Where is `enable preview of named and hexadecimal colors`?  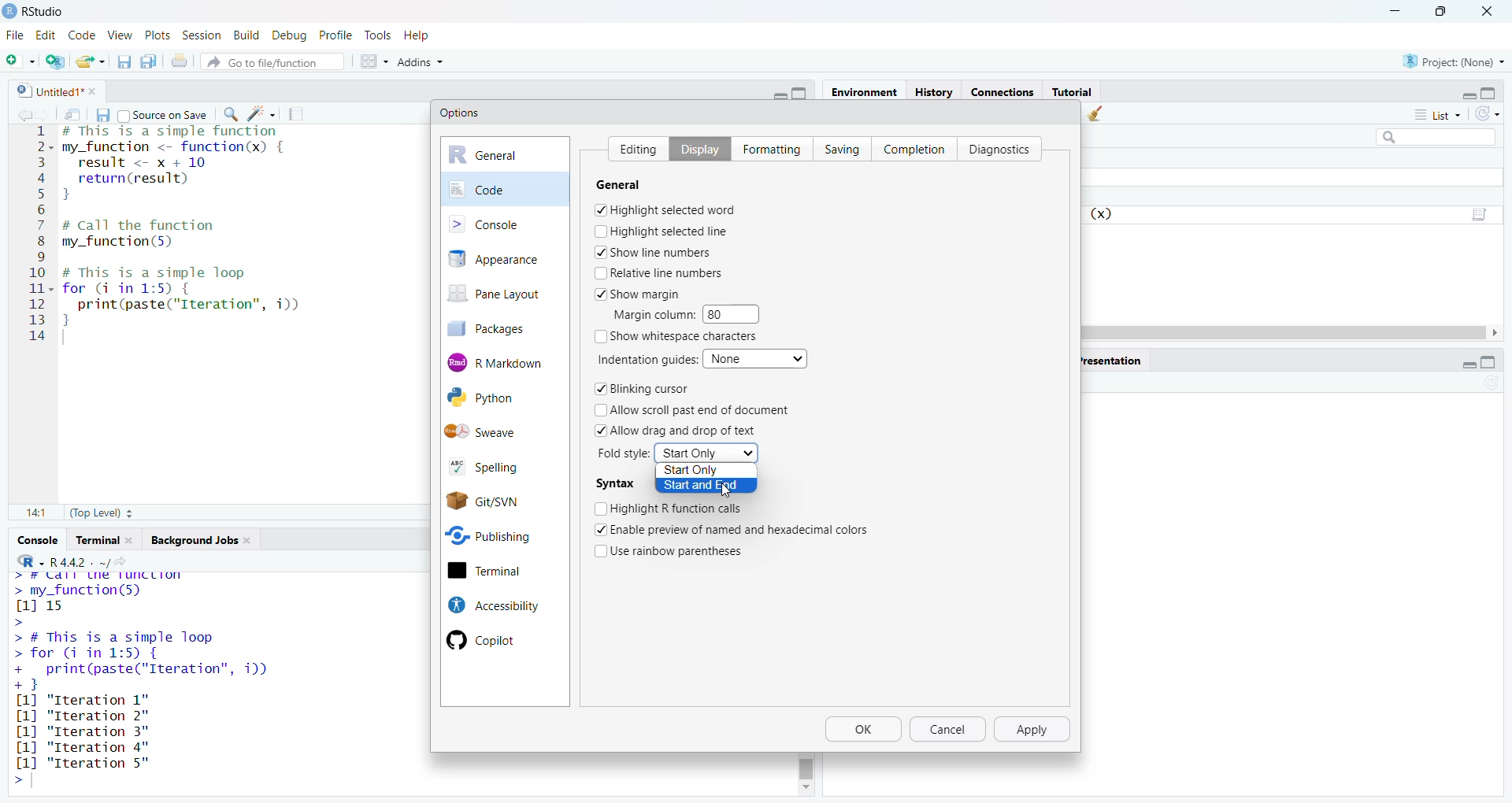 enable preview of named and hexadecimal colors is located at coordinates (743, 528).